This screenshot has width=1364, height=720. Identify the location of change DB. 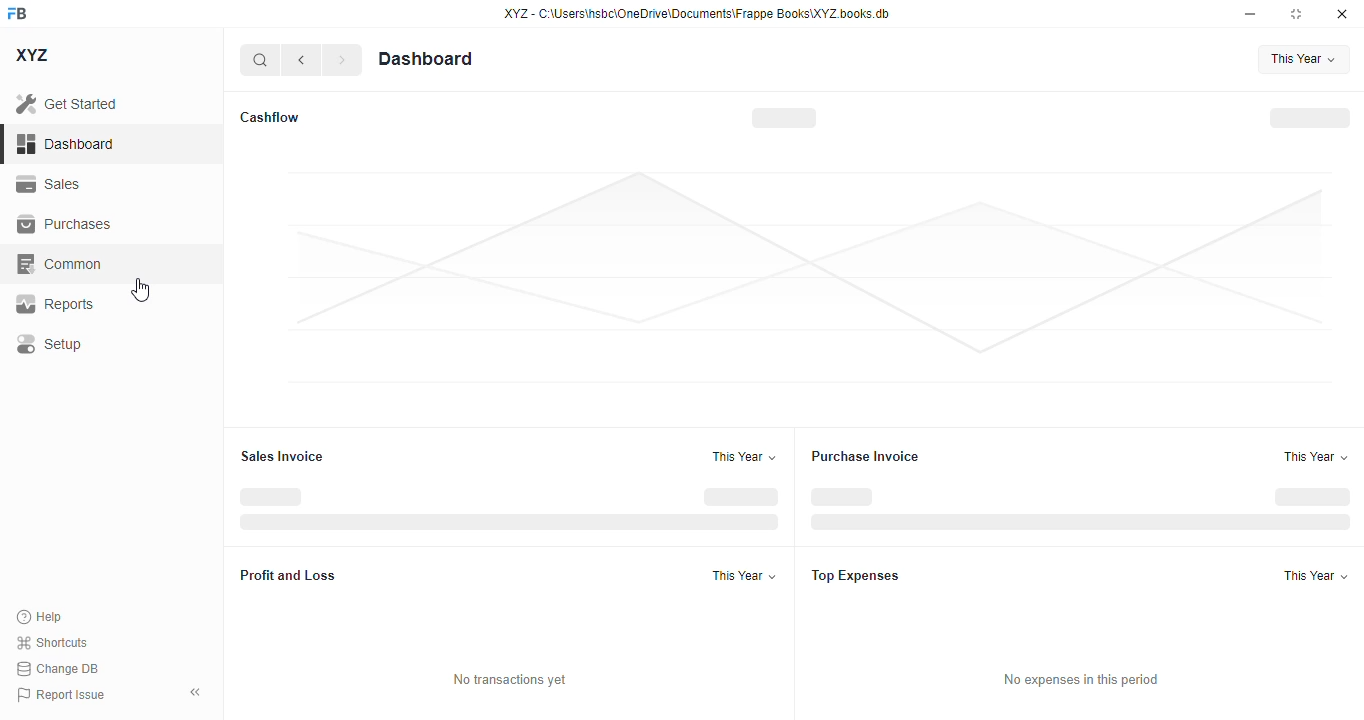
(57, 668).